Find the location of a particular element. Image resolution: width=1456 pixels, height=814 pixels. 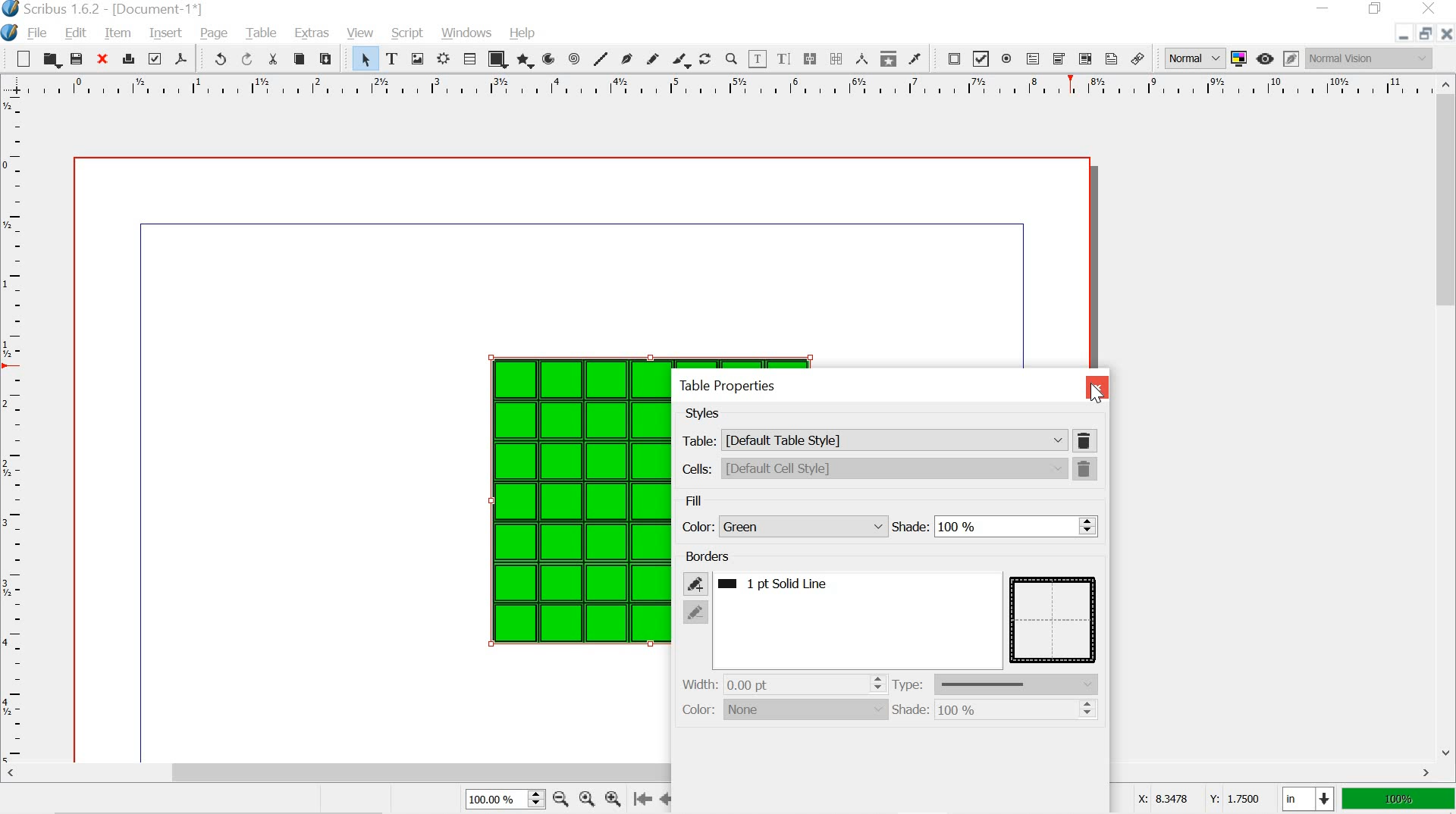

render frame is located at coordinates (442, 60).